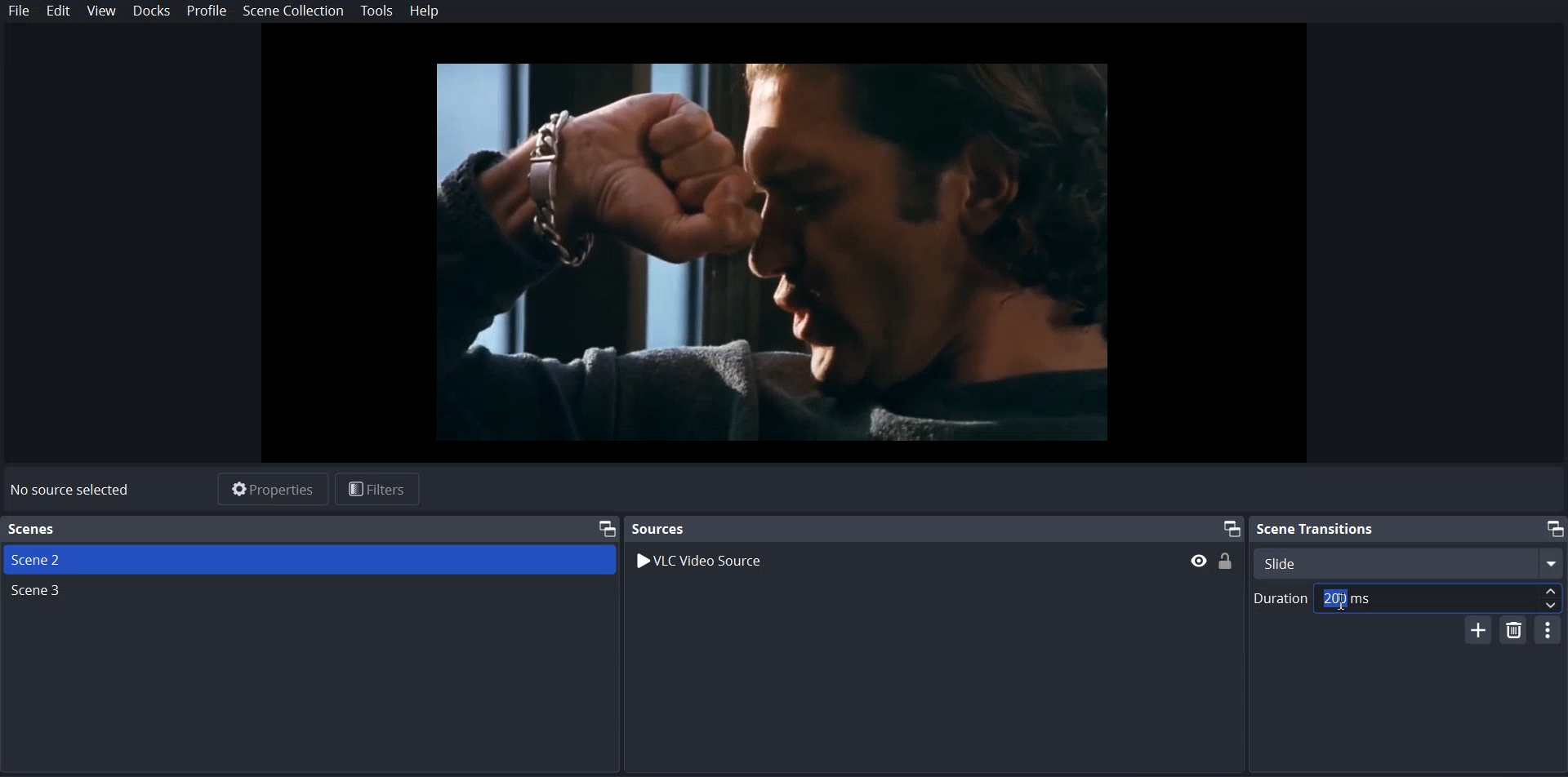 This screenshot has height=777, width=1568. Describe the element at coordinates (294, 12) in the screenshot. I see `Scene Collection` at that location.